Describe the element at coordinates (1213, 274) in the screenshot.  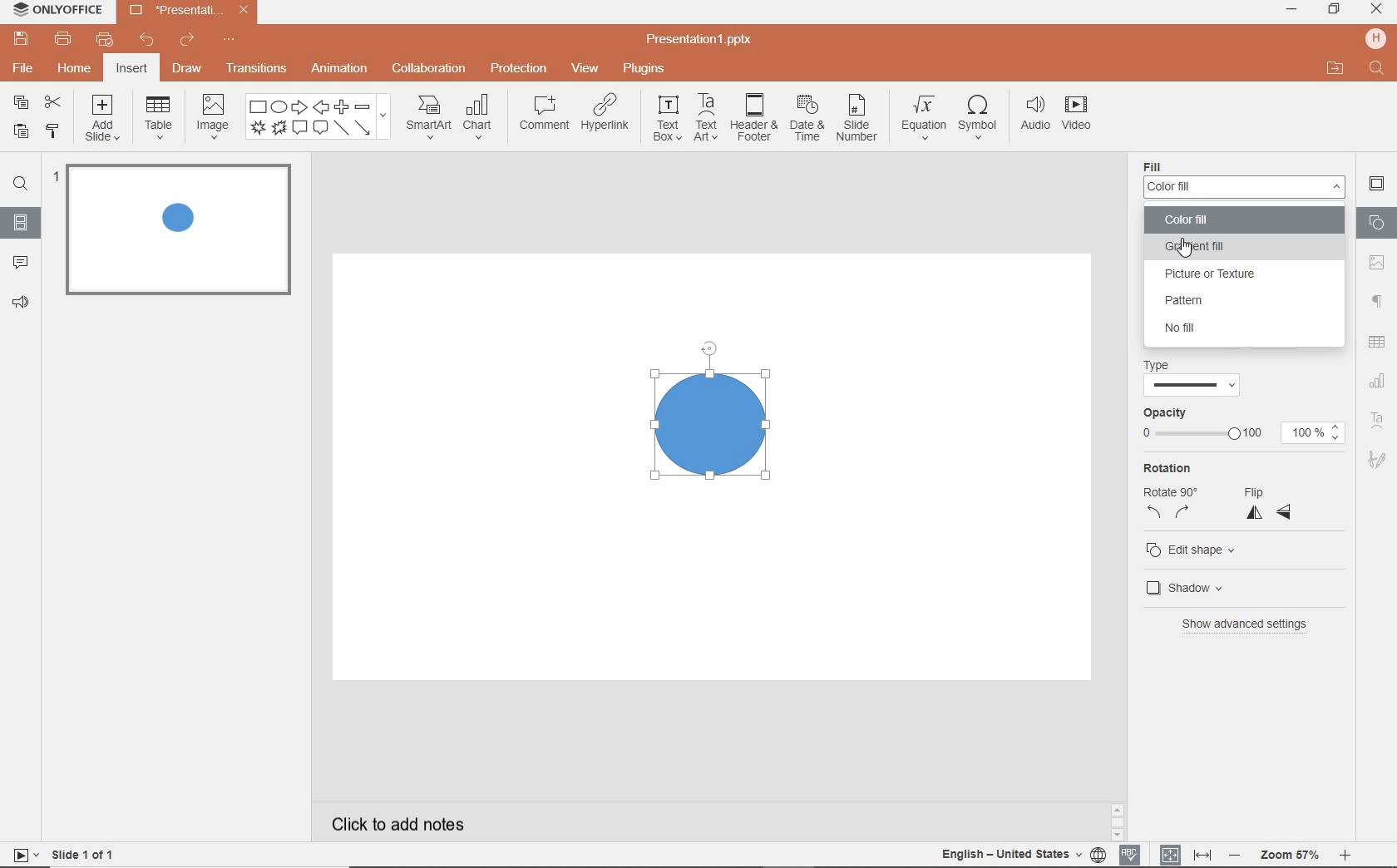
I see `picture or texture` at that location.